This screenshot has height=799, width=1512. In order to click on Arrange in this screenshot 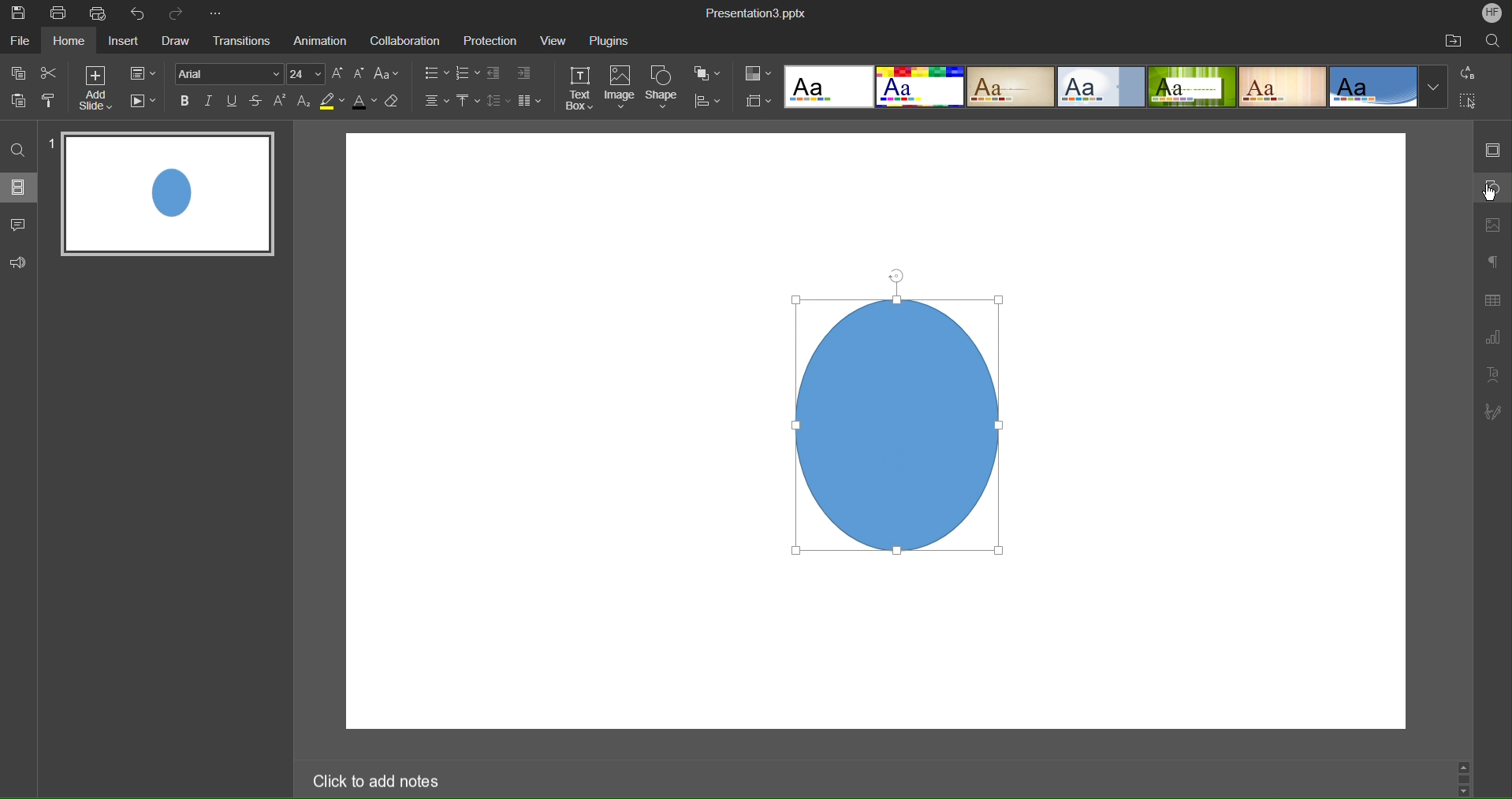, I will do `click(709, 75)`.